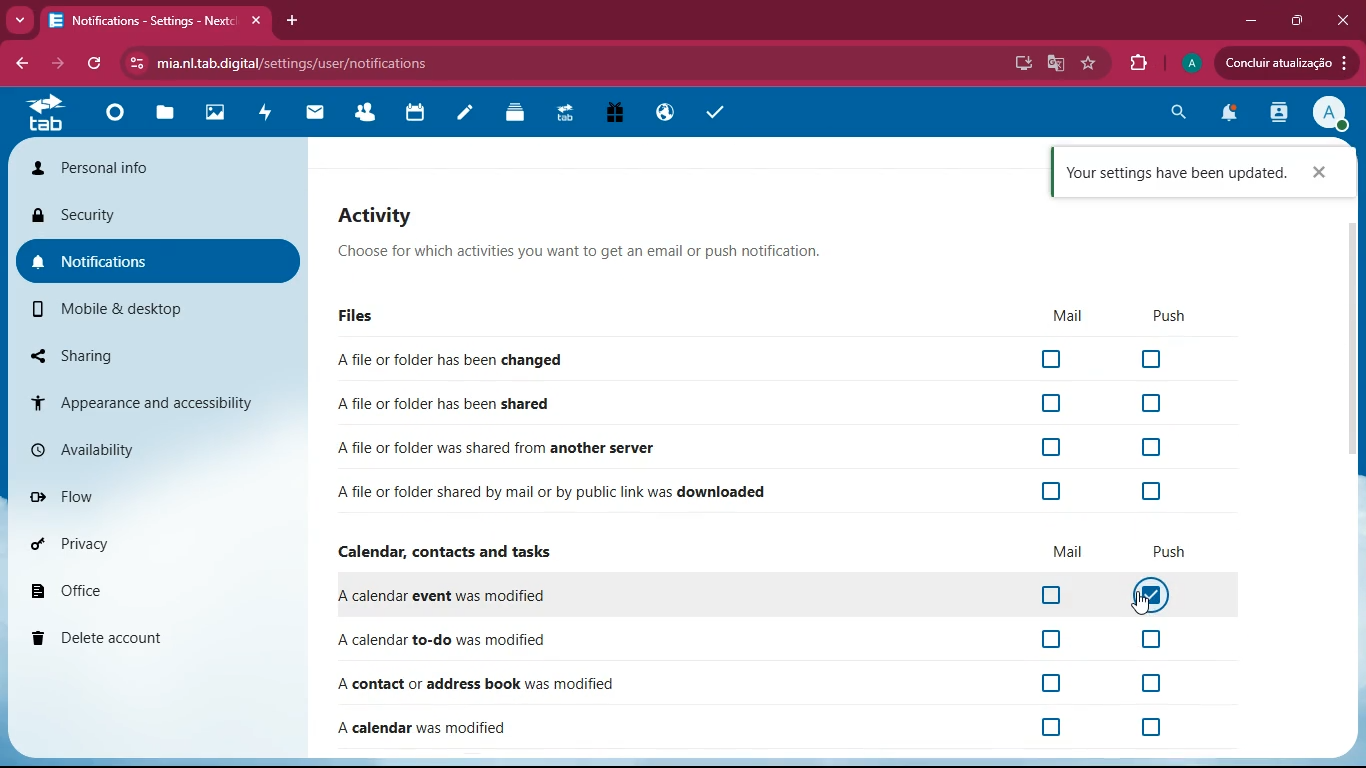 This screenshot has height=768, width=1366. I want to click on layers, so click(516, 117).